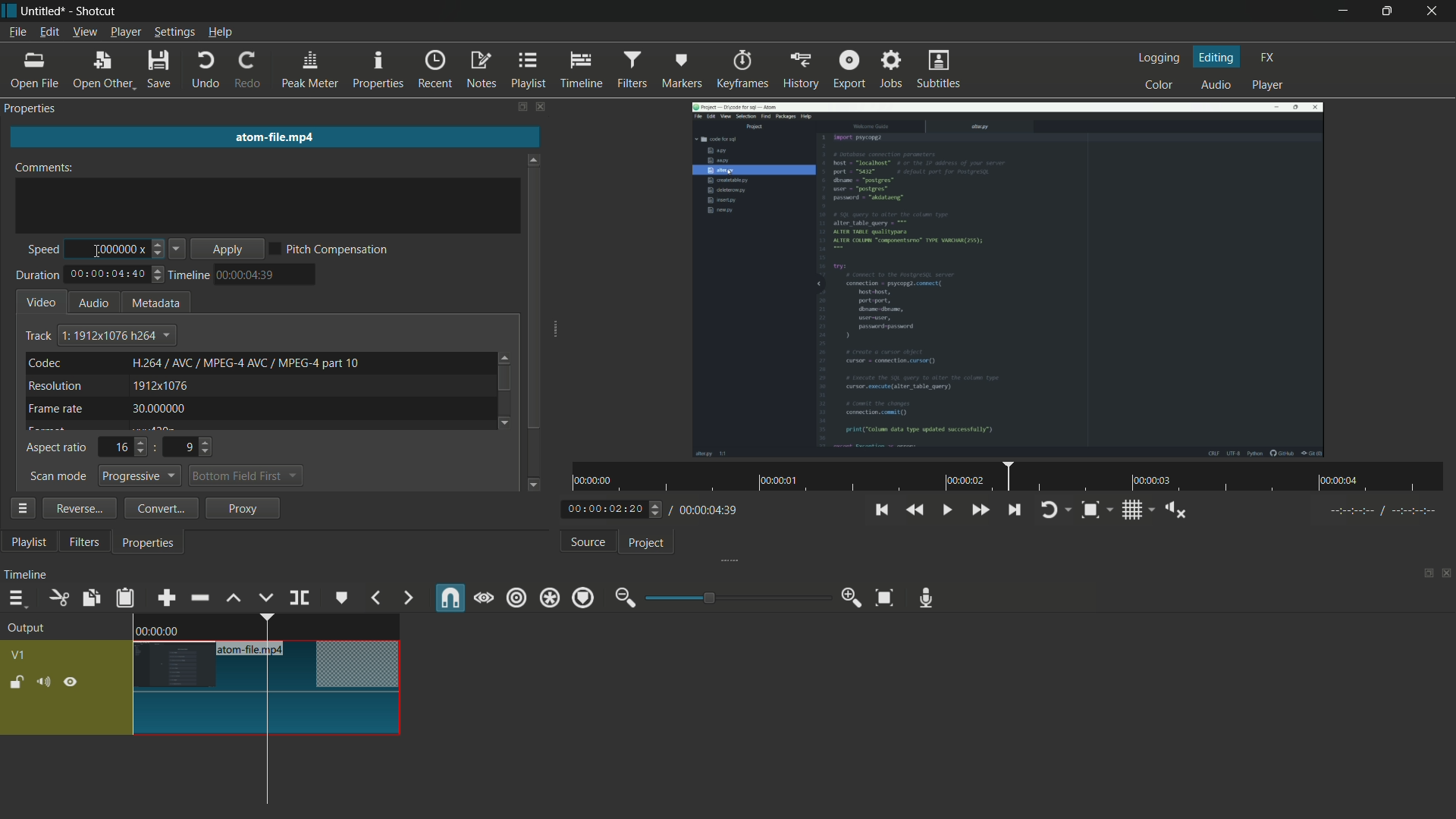  Describe the element at coordinates (377, 71) in the screenshot. I see `properties` at that location.